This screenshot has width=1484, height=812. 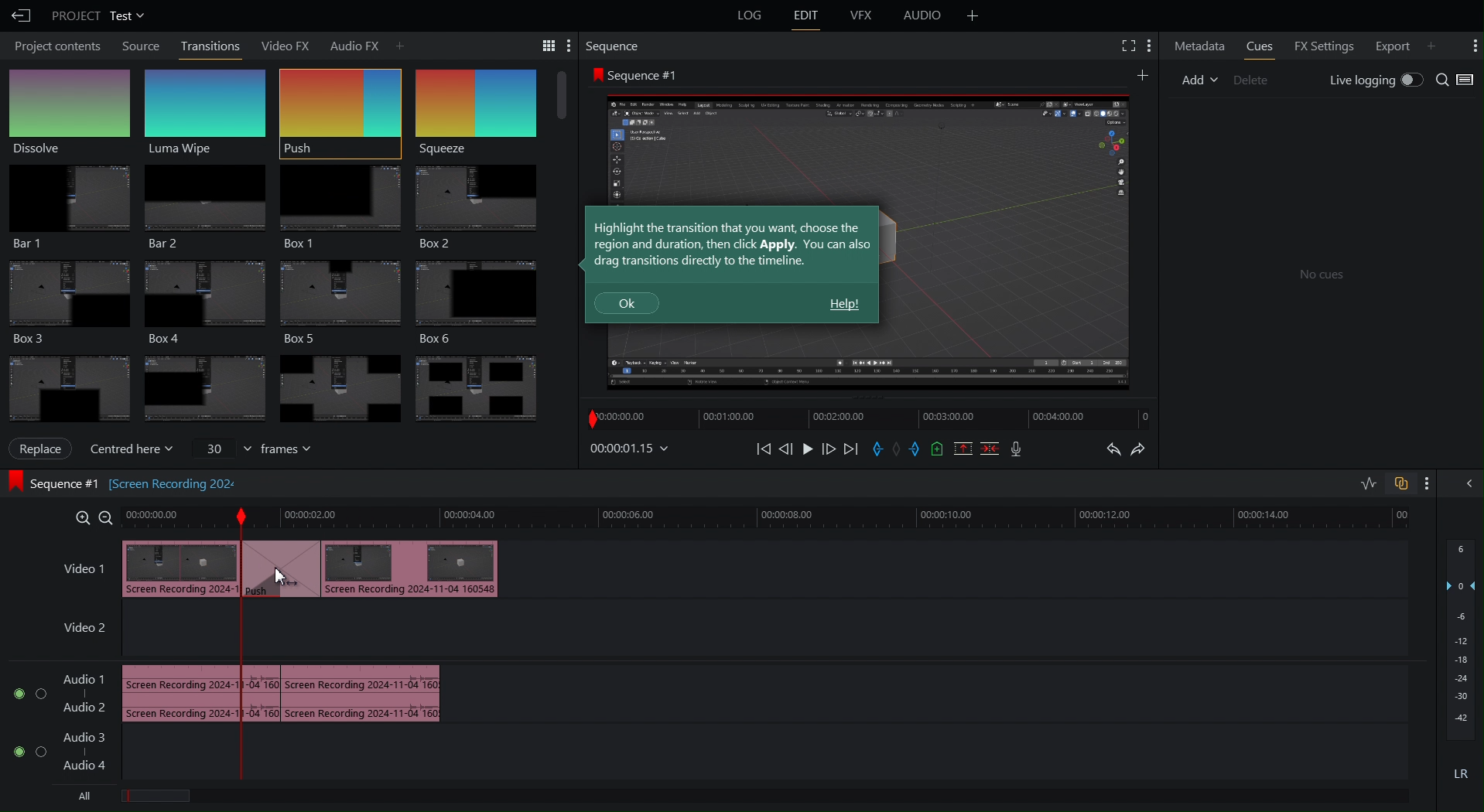 What do you see at coordinates (1008, 241) in the screenshot?
I see `Preview` at bounding box center [1008, 241].